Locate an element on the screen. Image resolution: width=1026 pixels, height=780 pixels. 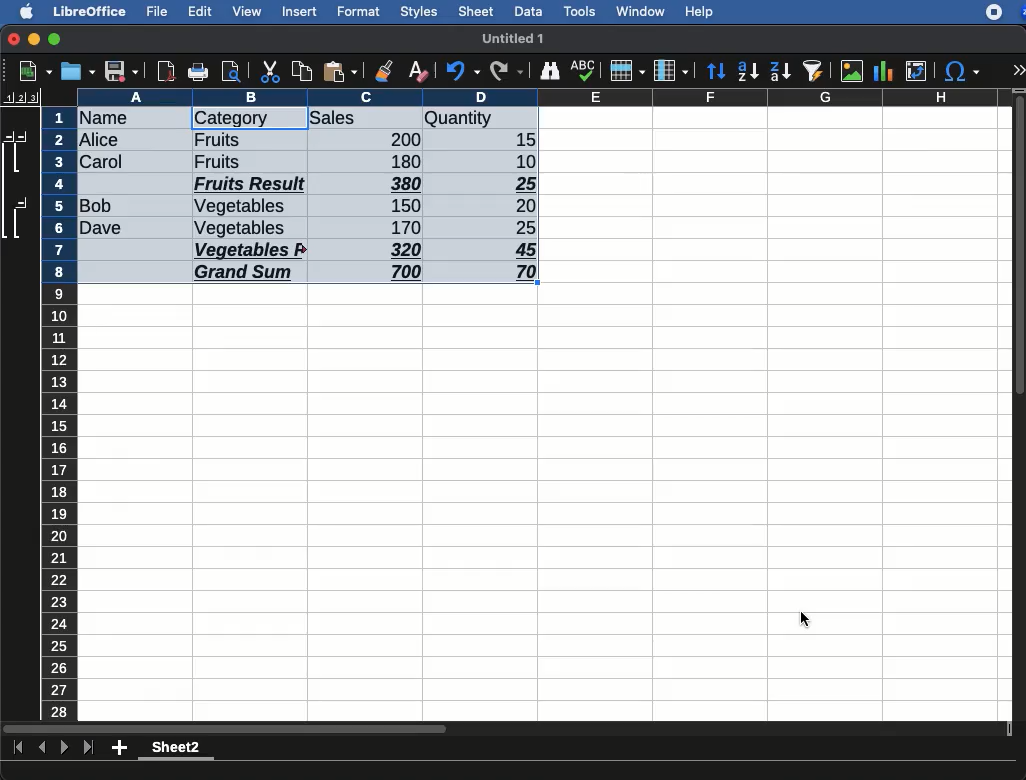
window is located at coordinates (638, 11).